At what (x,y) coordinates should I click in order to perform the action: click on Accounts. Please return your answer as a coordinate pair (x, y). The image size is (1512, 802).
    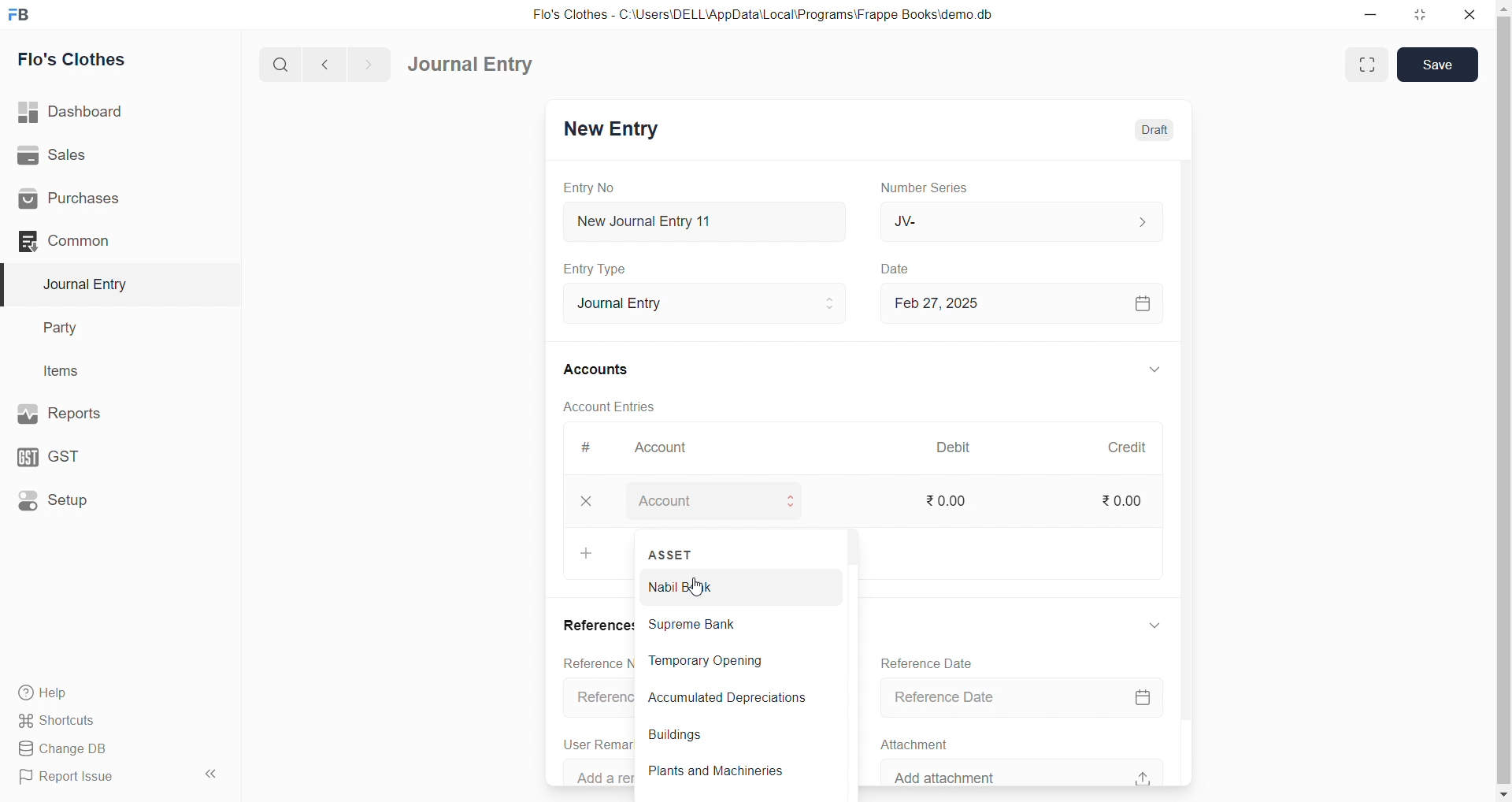
    Looking at the image, I should click on (605, 370).